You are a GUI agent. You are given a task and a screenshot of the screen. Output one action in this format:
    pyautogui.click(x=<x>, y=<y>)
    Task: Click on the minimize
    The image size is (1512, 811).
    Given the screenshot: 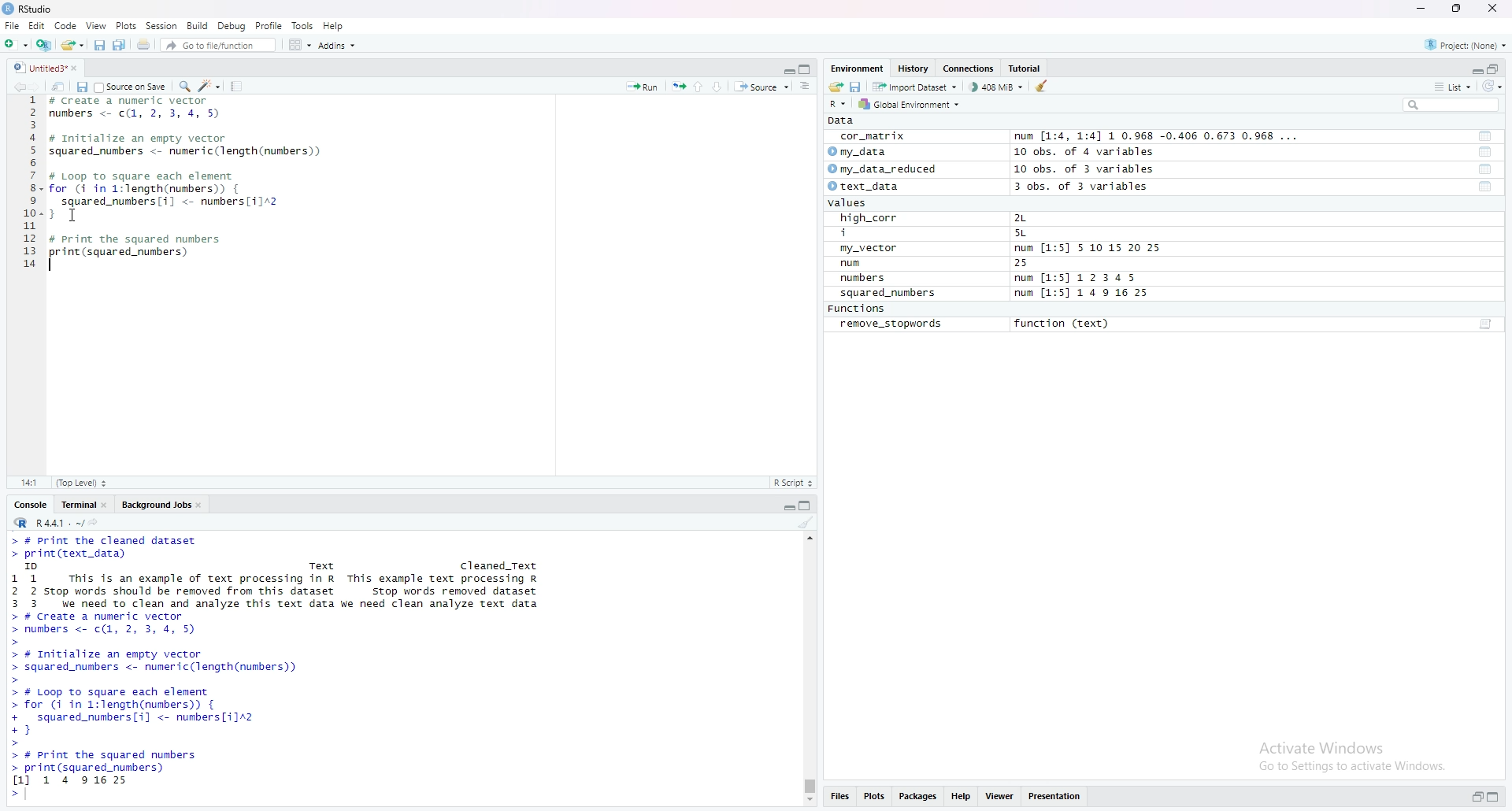 What is the action you would take?
    pyautogui.click(x=1420, y=9)
    